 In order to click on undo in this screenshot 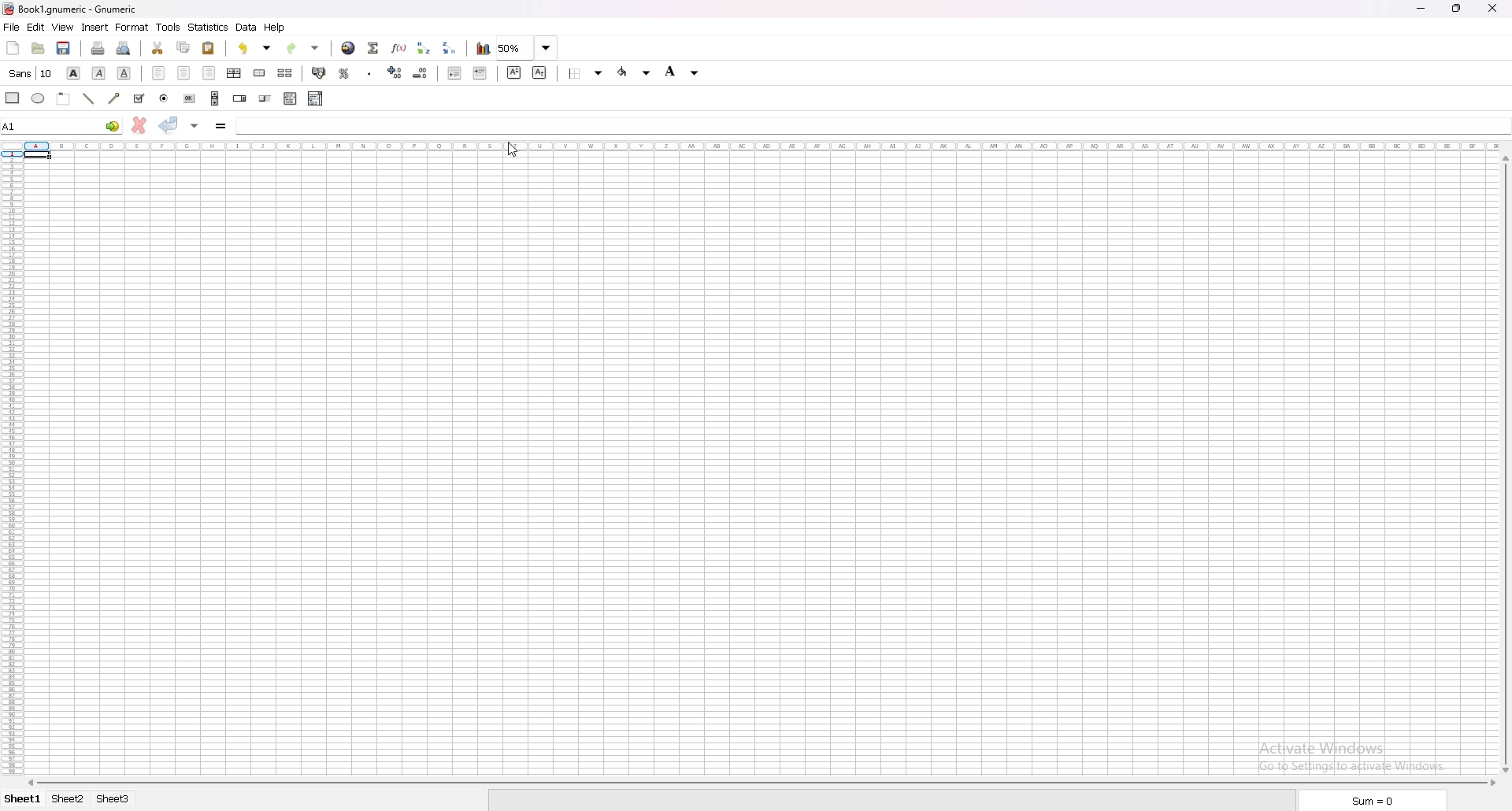, I will do `click(243, 48)`.